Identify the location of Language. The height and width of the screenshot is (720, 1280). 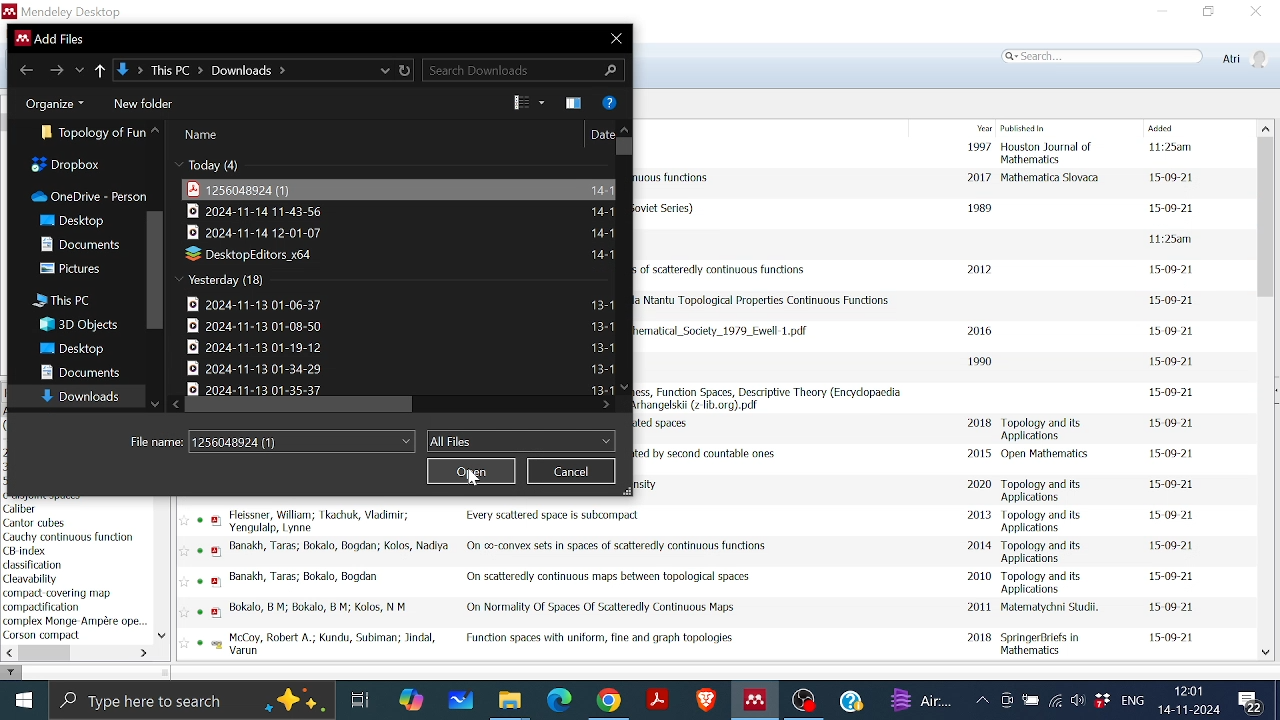
(1132, 699).